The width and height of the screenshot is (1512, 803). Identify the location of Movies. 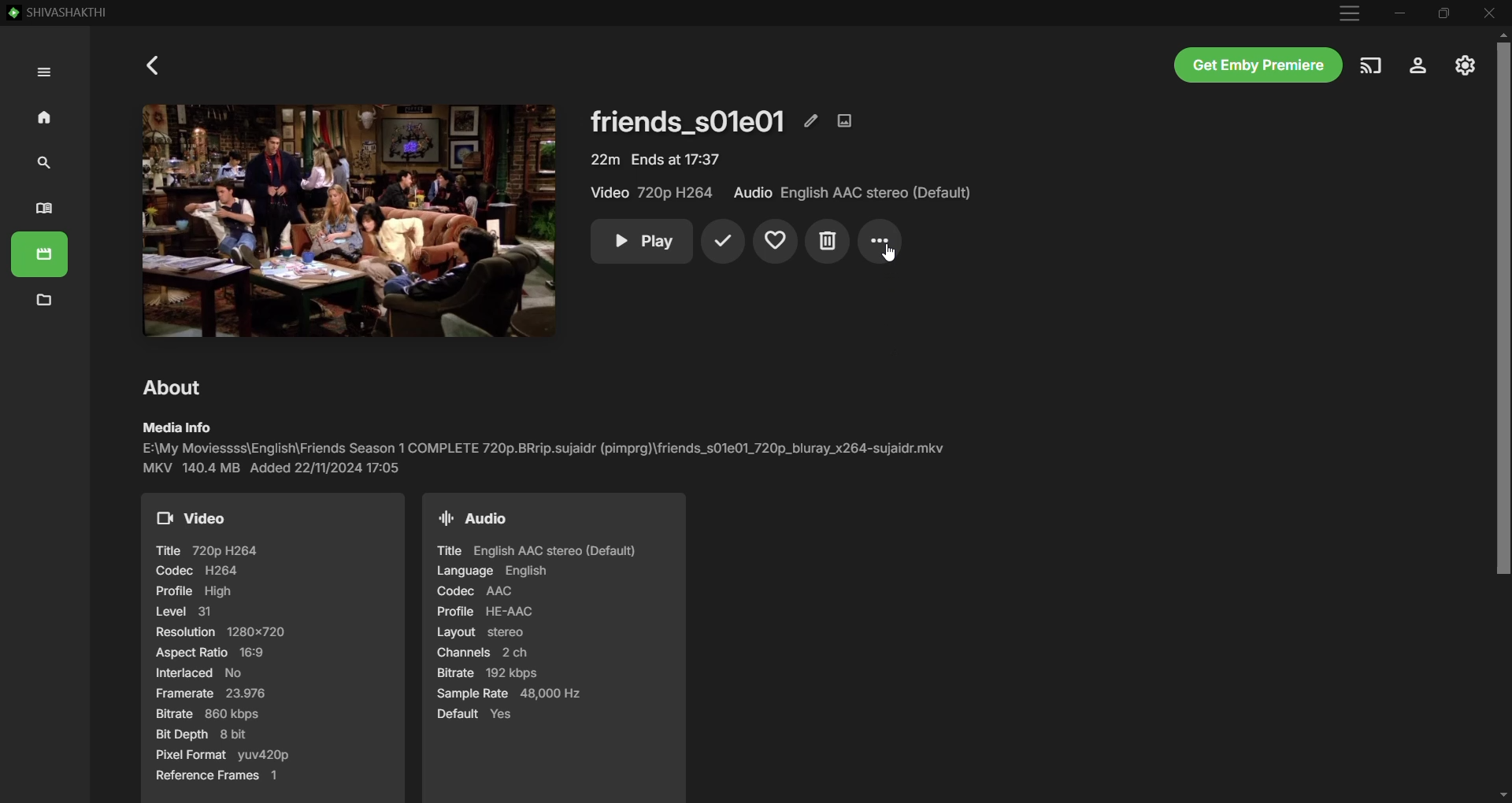
(41, 257).